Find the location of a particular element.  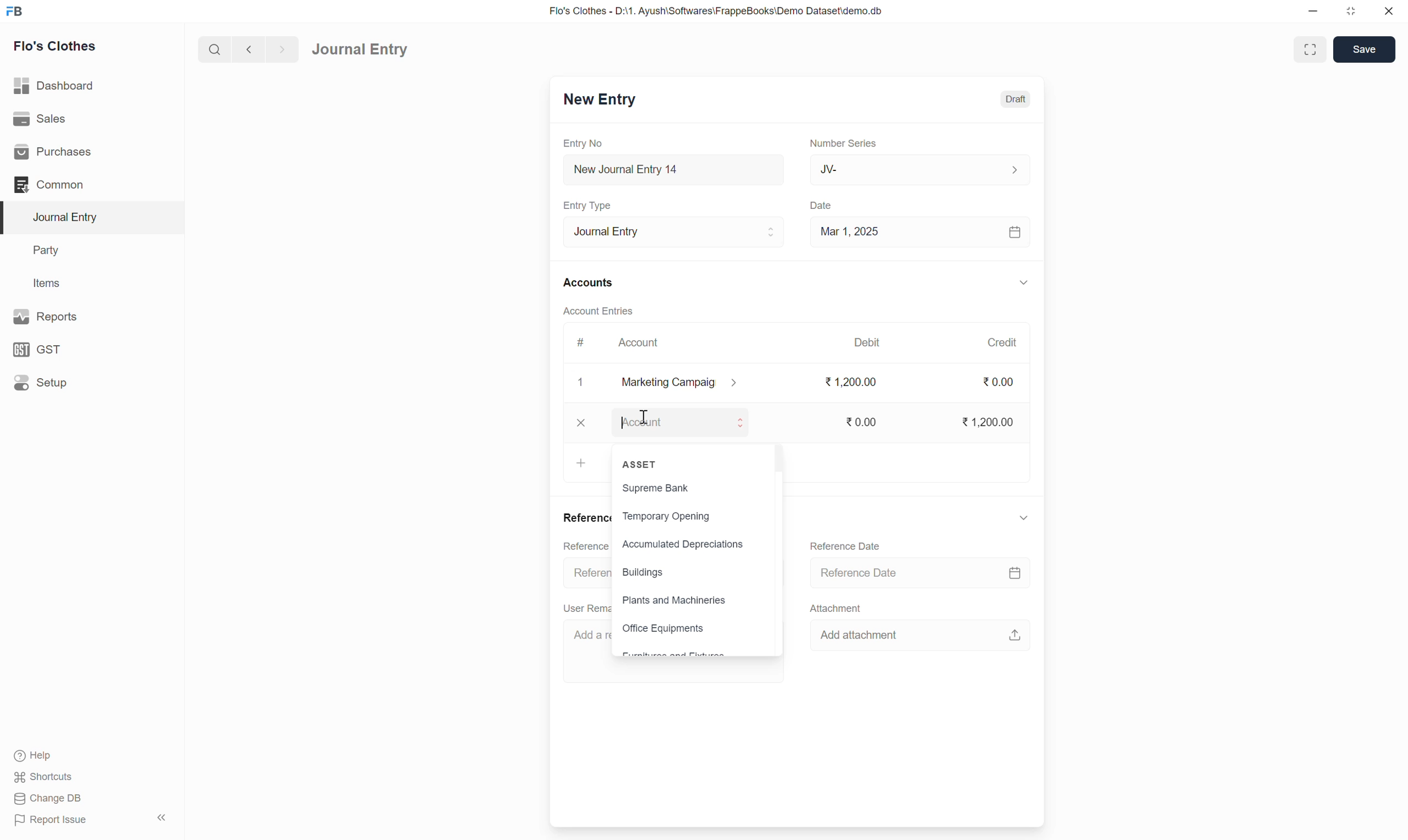

Accumulated Depreciations is located at coordinates (682, 544).